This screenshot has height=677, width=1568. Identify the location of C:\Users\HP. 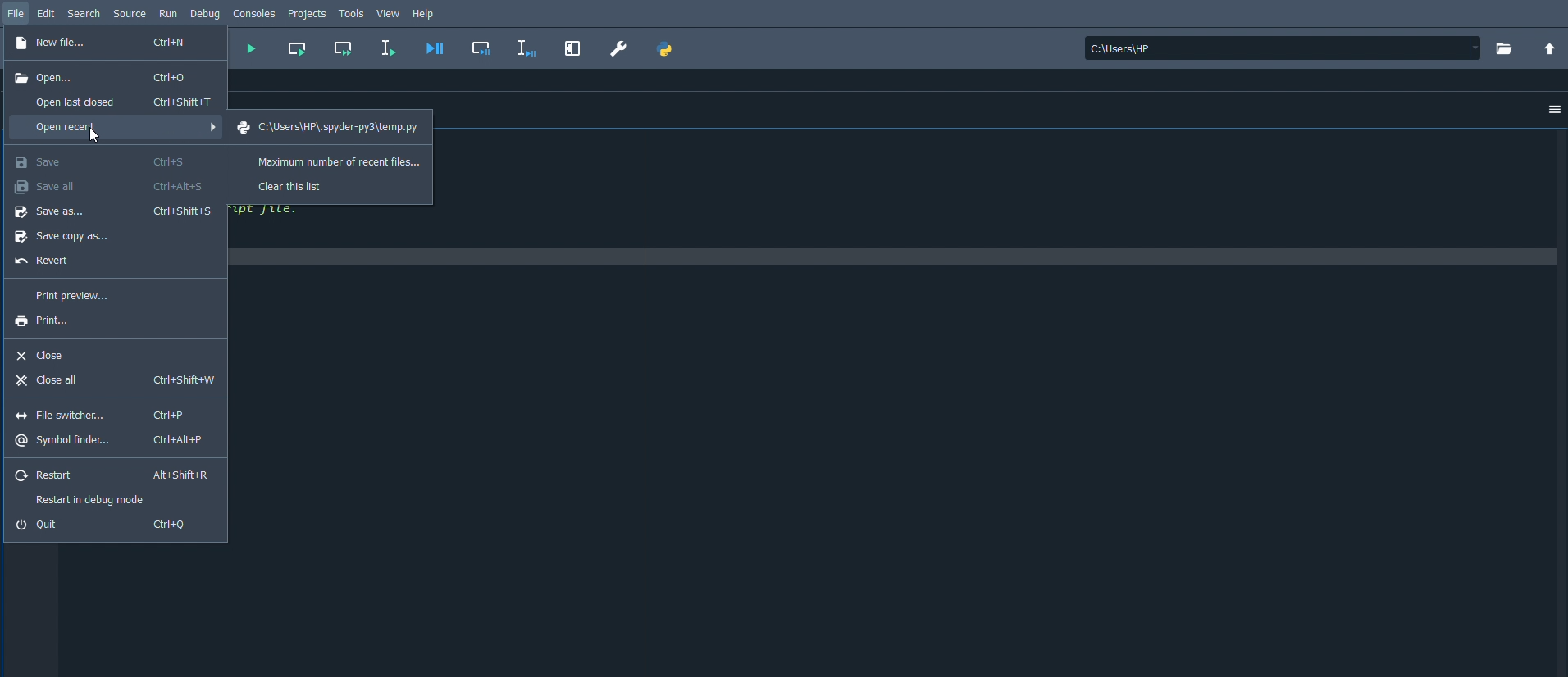
(1280, 49).